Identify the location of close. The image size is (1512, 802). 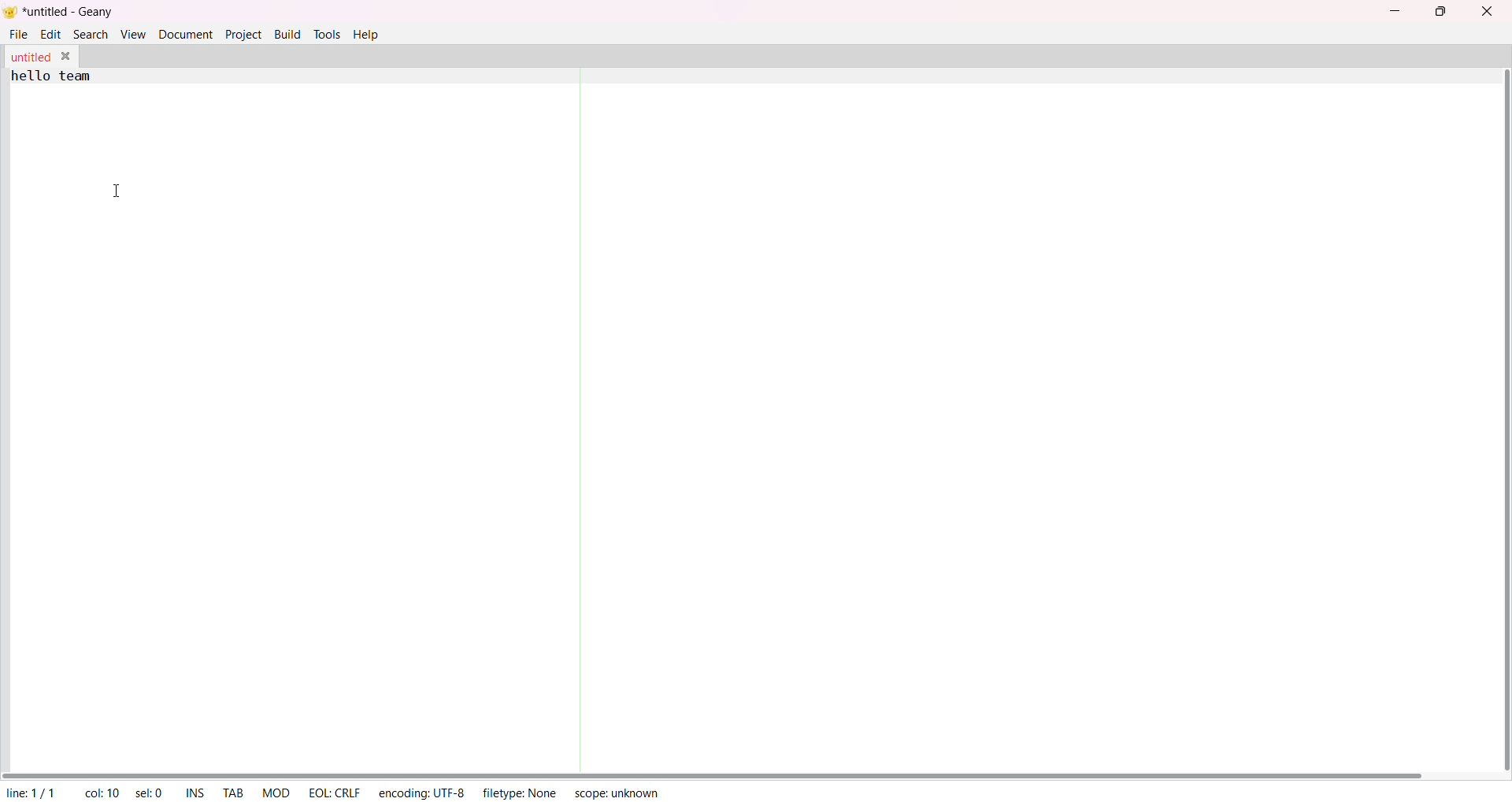
(65, 57).